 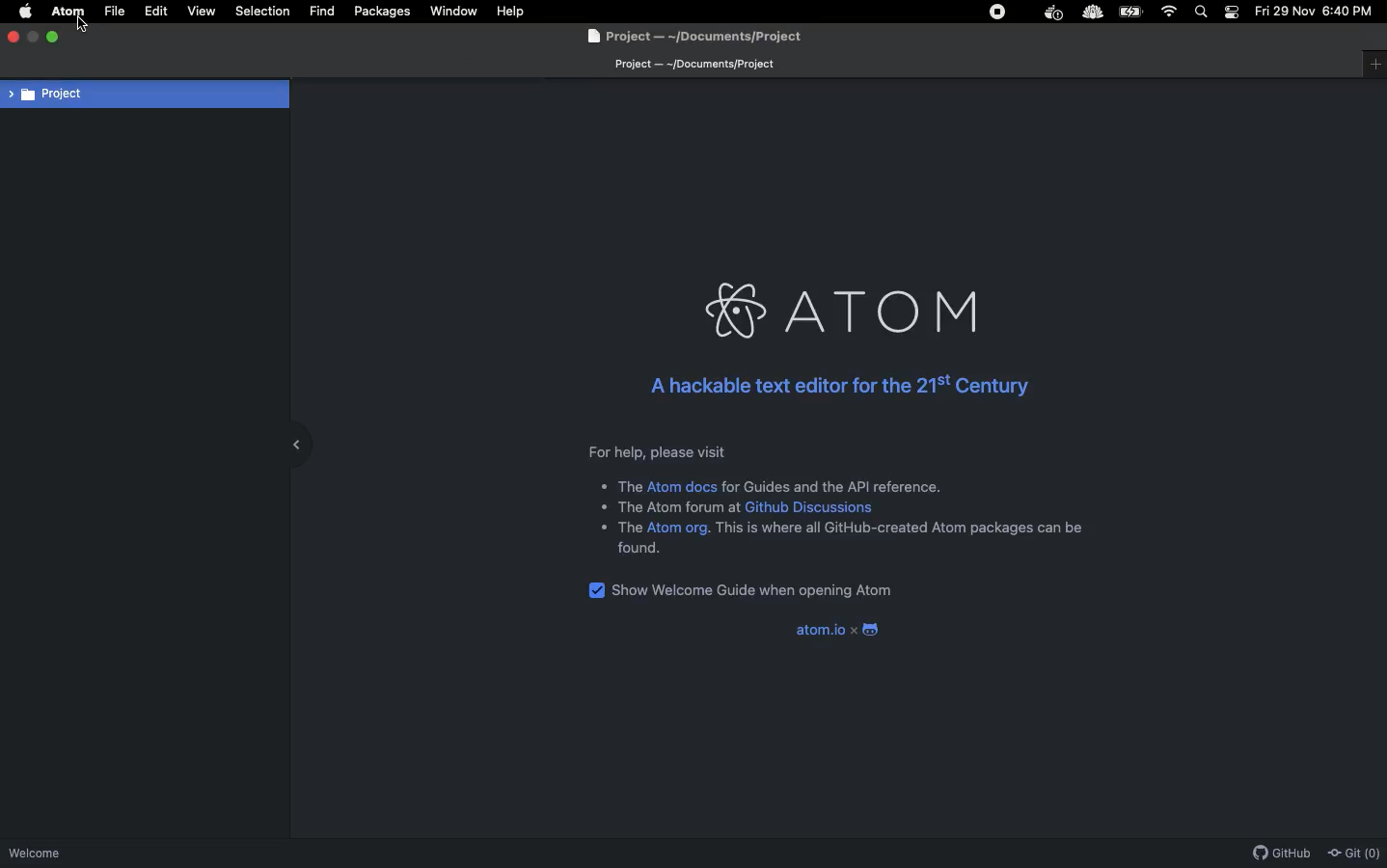 What do you see at coordinates (68, 12) in the screenshot?
I see `ATOM` at bounding box center [68, 12].